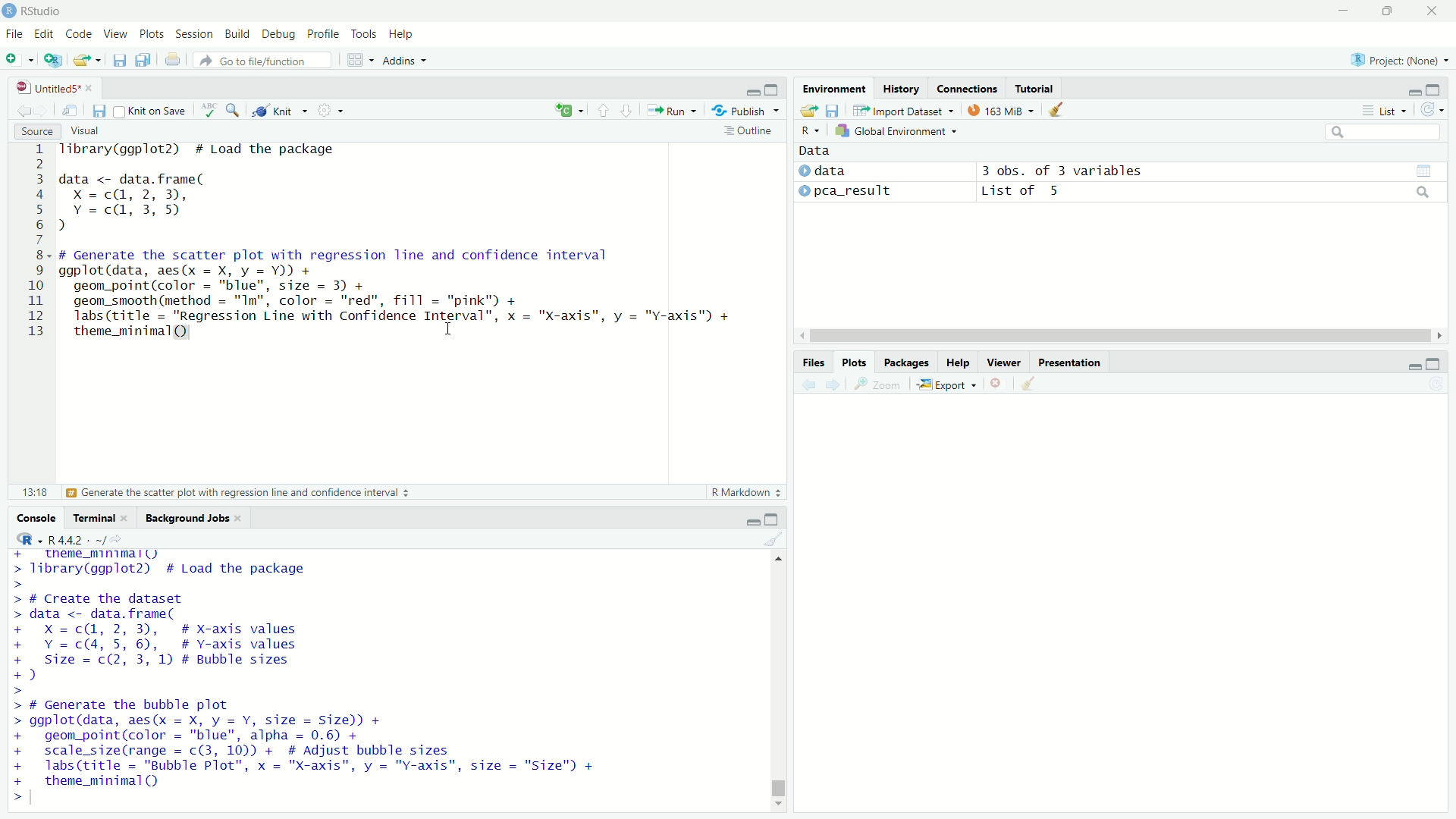  What do you see at coordinates (773, 89) in the screenshot?
I see `expand` at bounding box center [773, 89].